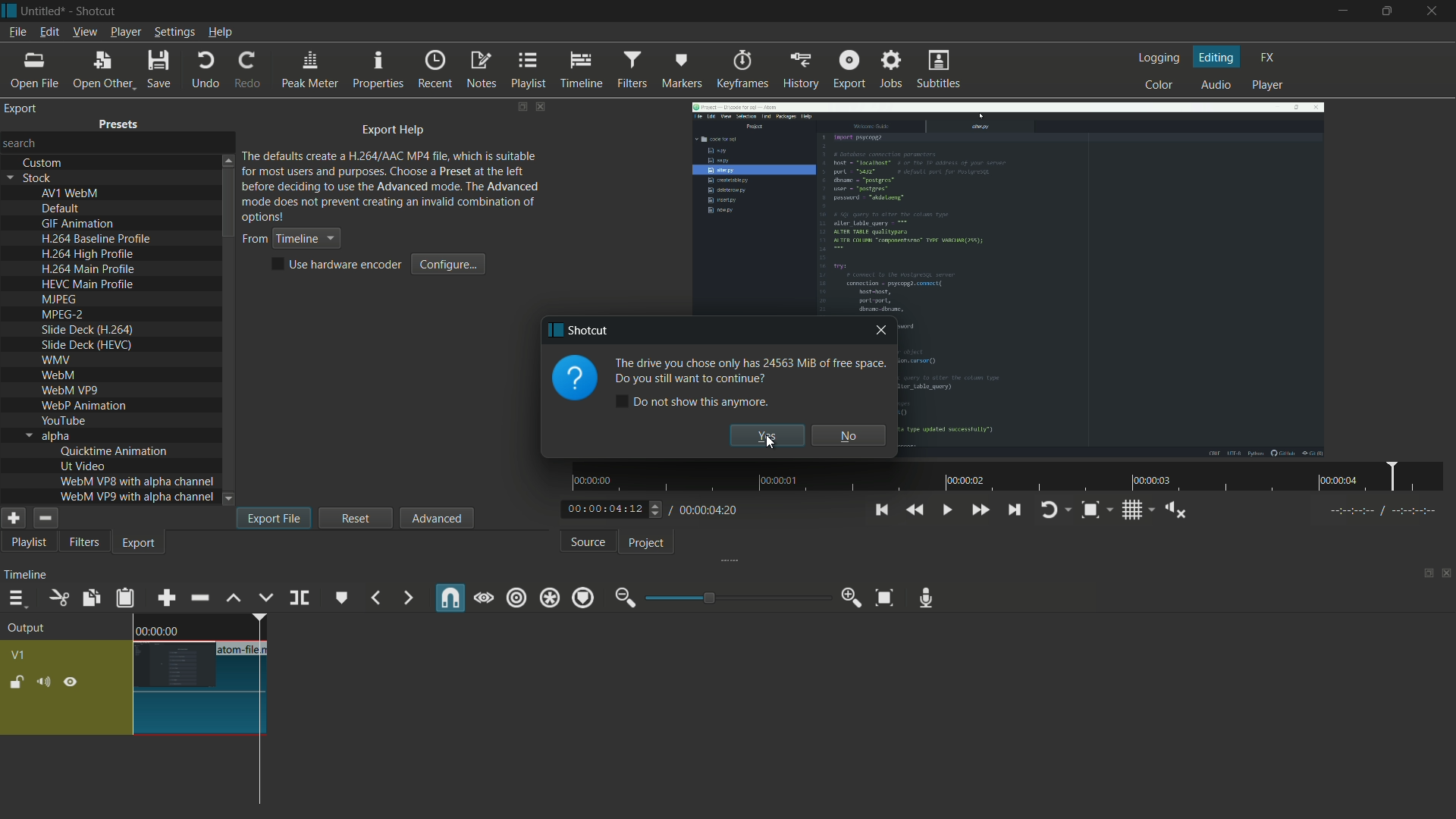 The height and width of the screenshot is (819, 1456). What do you see at coordinates (527, 71) in the screenshot?
I see `playlist` at bounding box center [527, 71].